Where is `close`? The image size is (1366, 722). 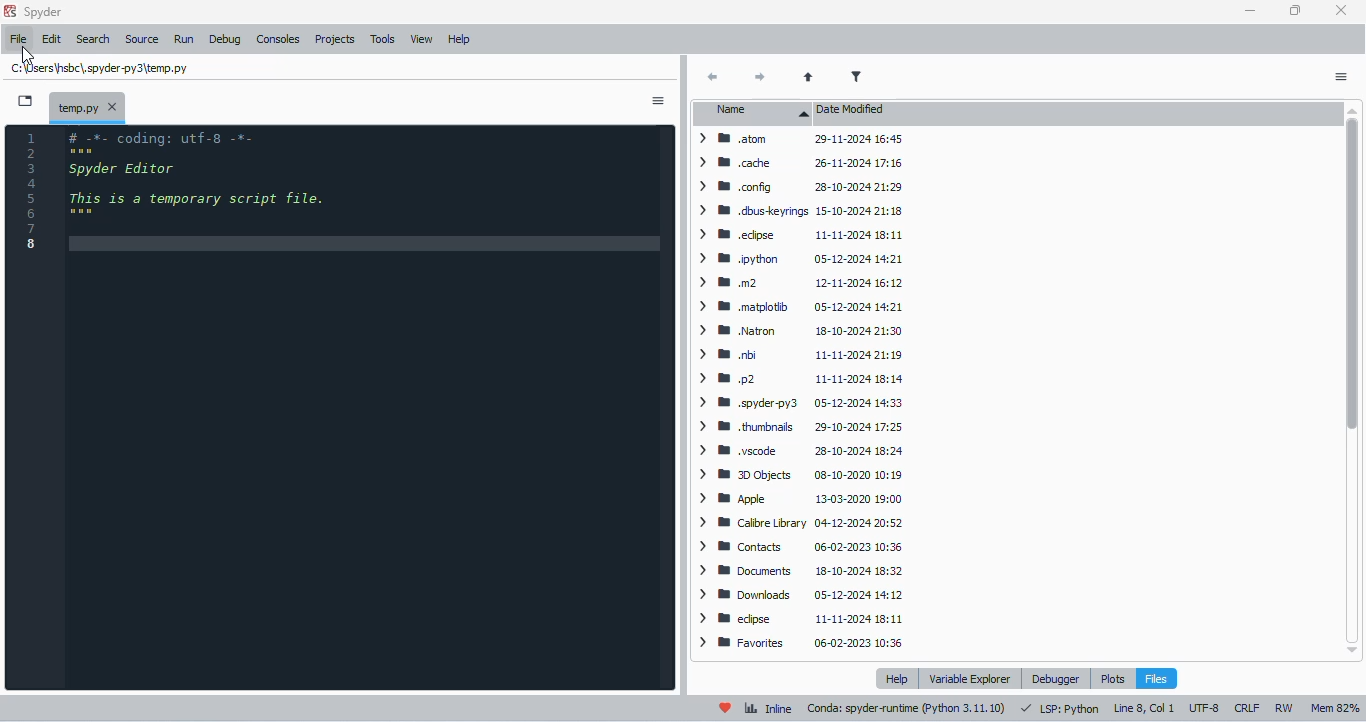
close is located at coordinates (1341, 10).